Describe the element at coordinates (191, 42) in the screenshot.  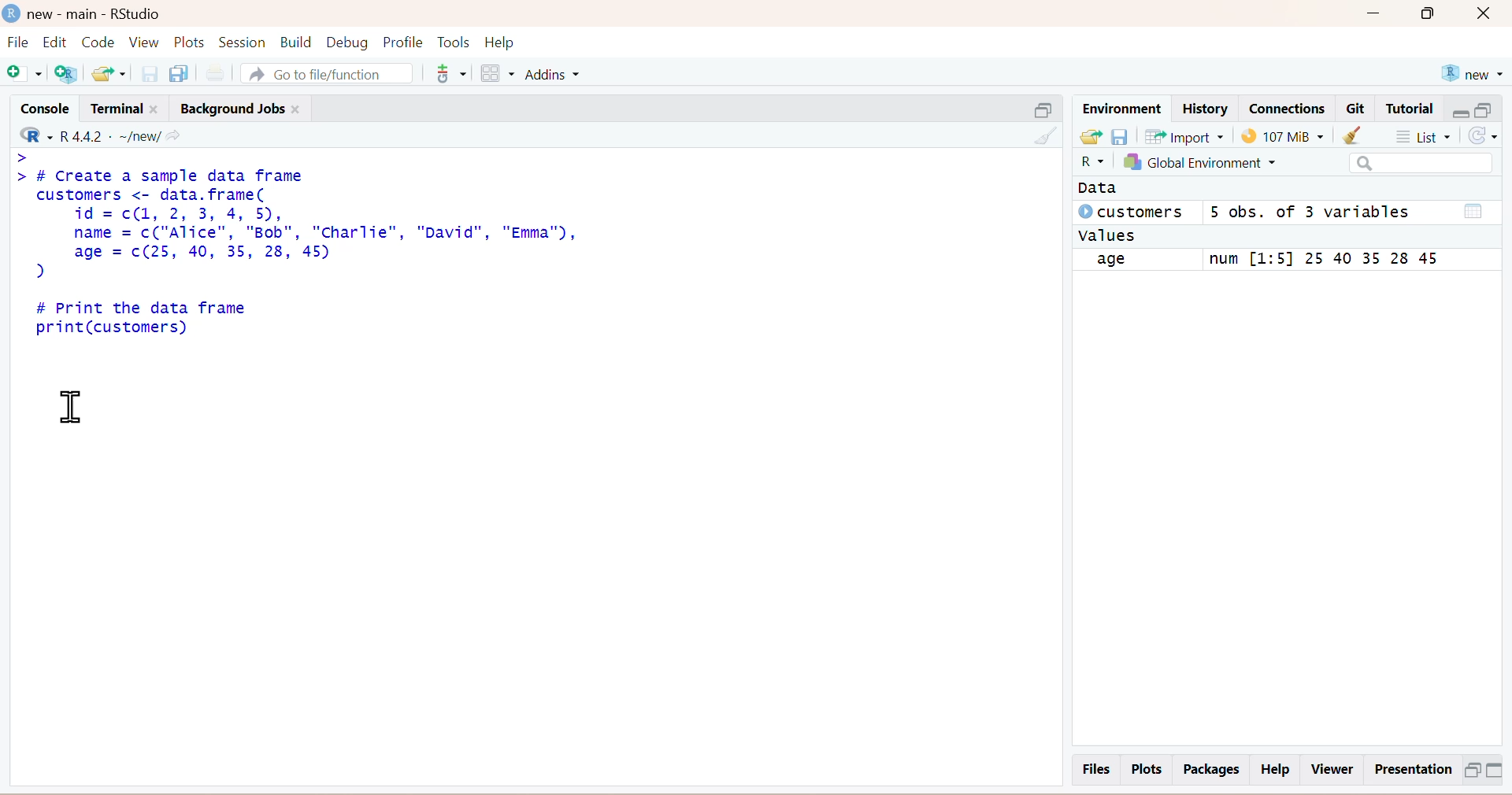
I see `Plots` at that location.